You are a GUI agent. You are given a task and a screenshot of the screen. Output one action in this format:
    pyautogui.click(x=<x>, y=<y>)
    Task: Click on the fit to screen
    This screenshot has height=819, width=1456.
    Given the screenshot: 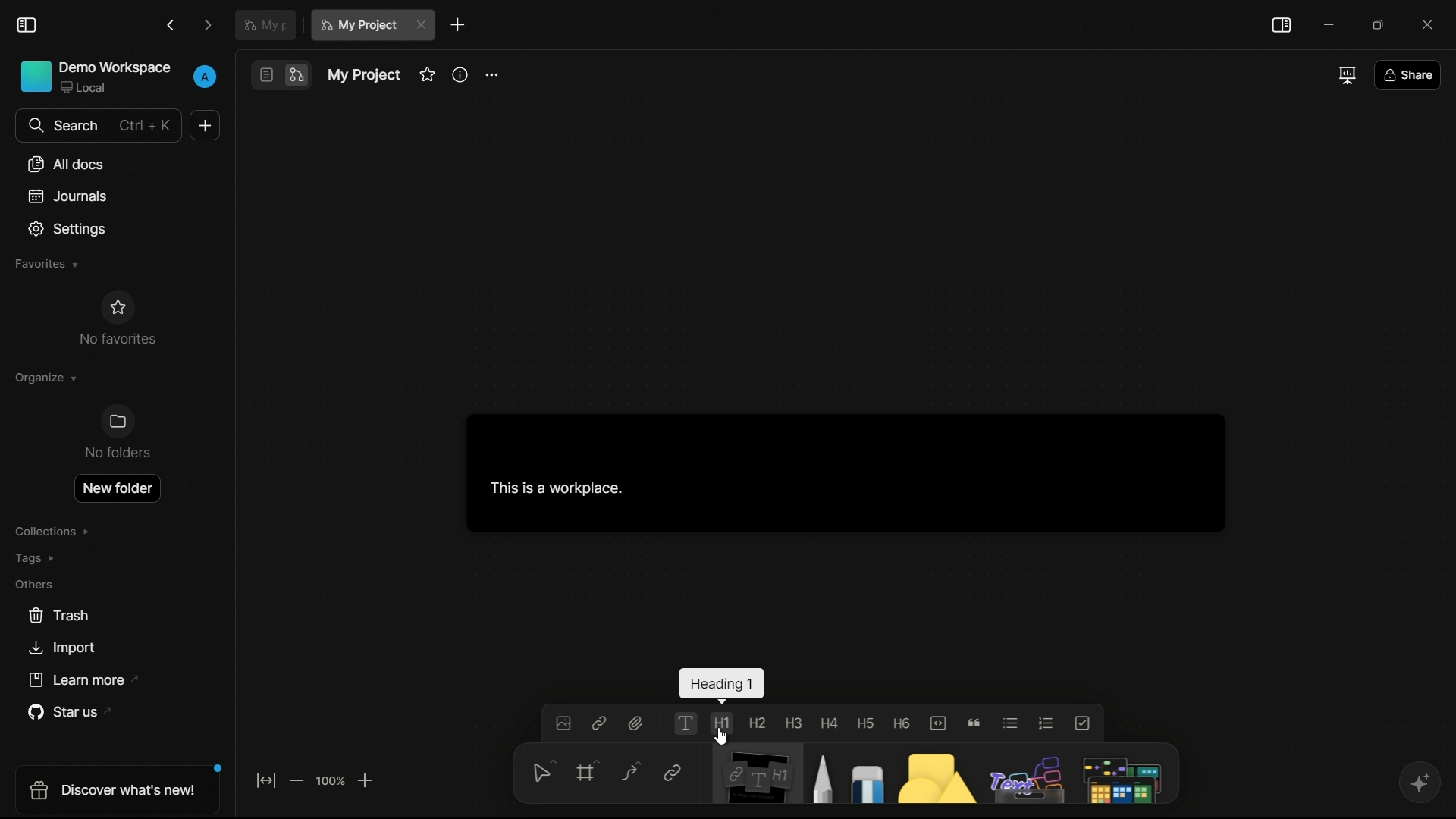 What is the action you would take?
    pyautogui.click(x=266, y=780)
    